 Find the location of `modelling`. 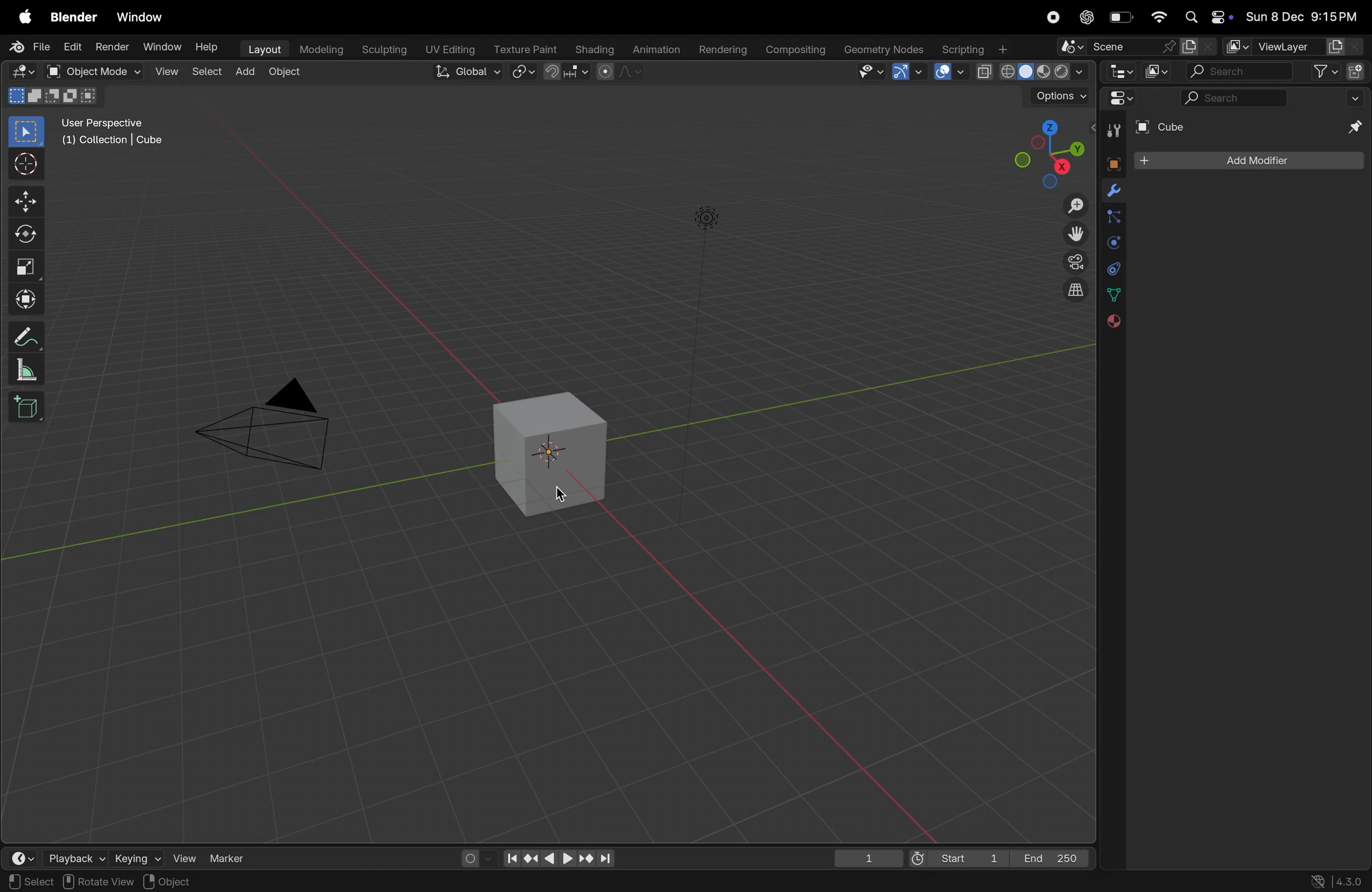

modelling is located at coordinates (322, 48).